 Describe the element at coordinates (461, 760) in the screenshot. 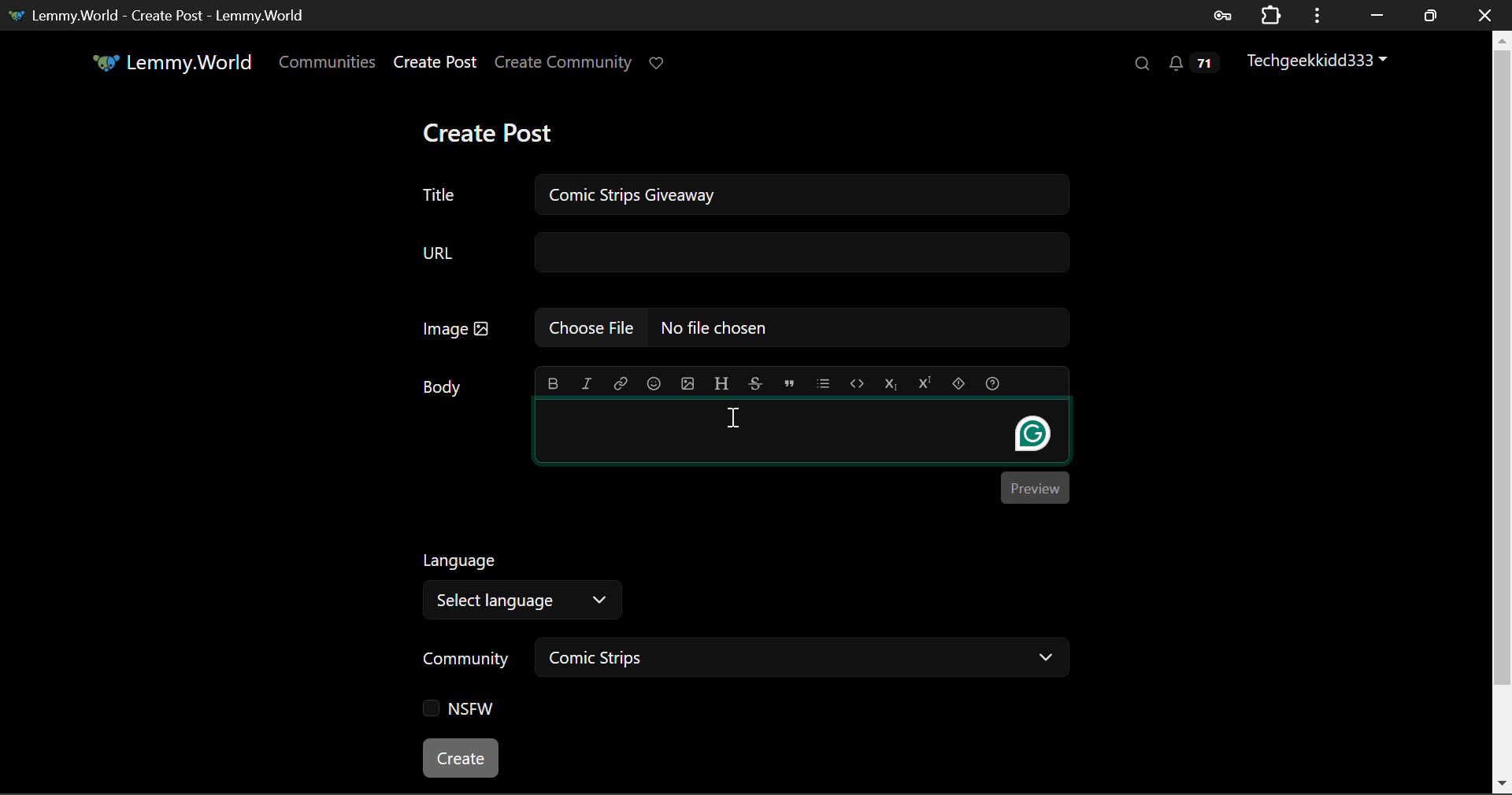

I see `Create` at that location.